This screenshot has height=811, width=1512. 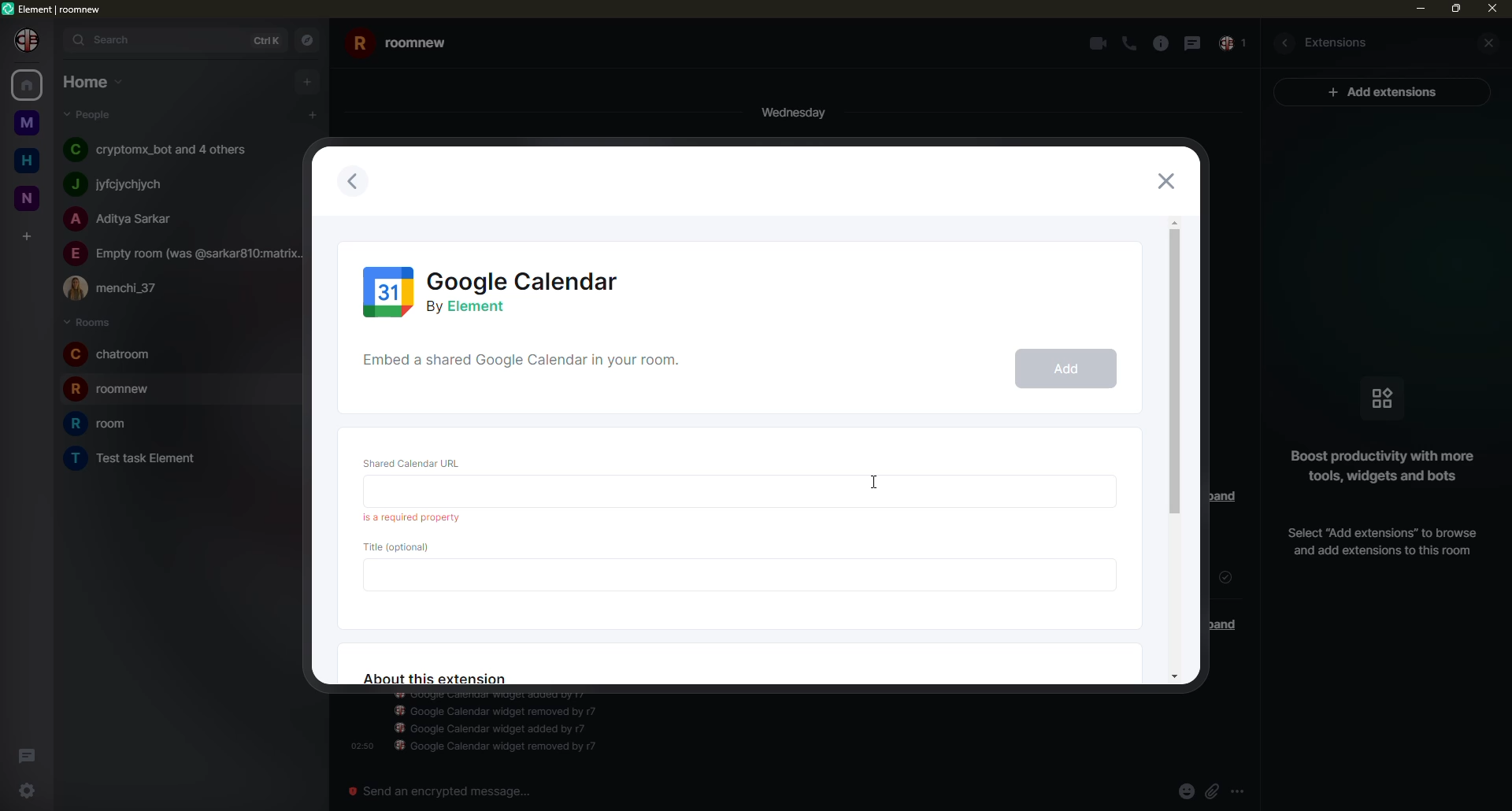 What do you see at coordinates (1097, 44) in the screenshot?
I see `video` at bounding box center [1097, 44].